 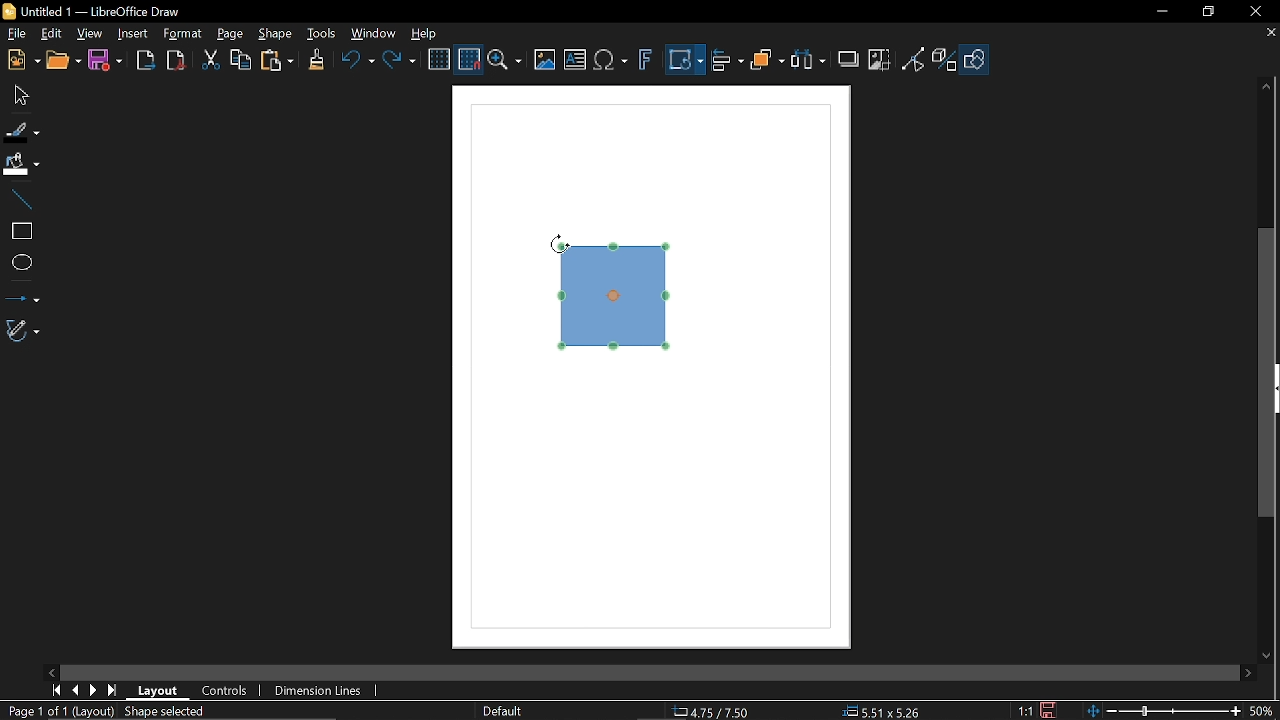 I want to click on Change zoom, so click(x=1162, y=711).